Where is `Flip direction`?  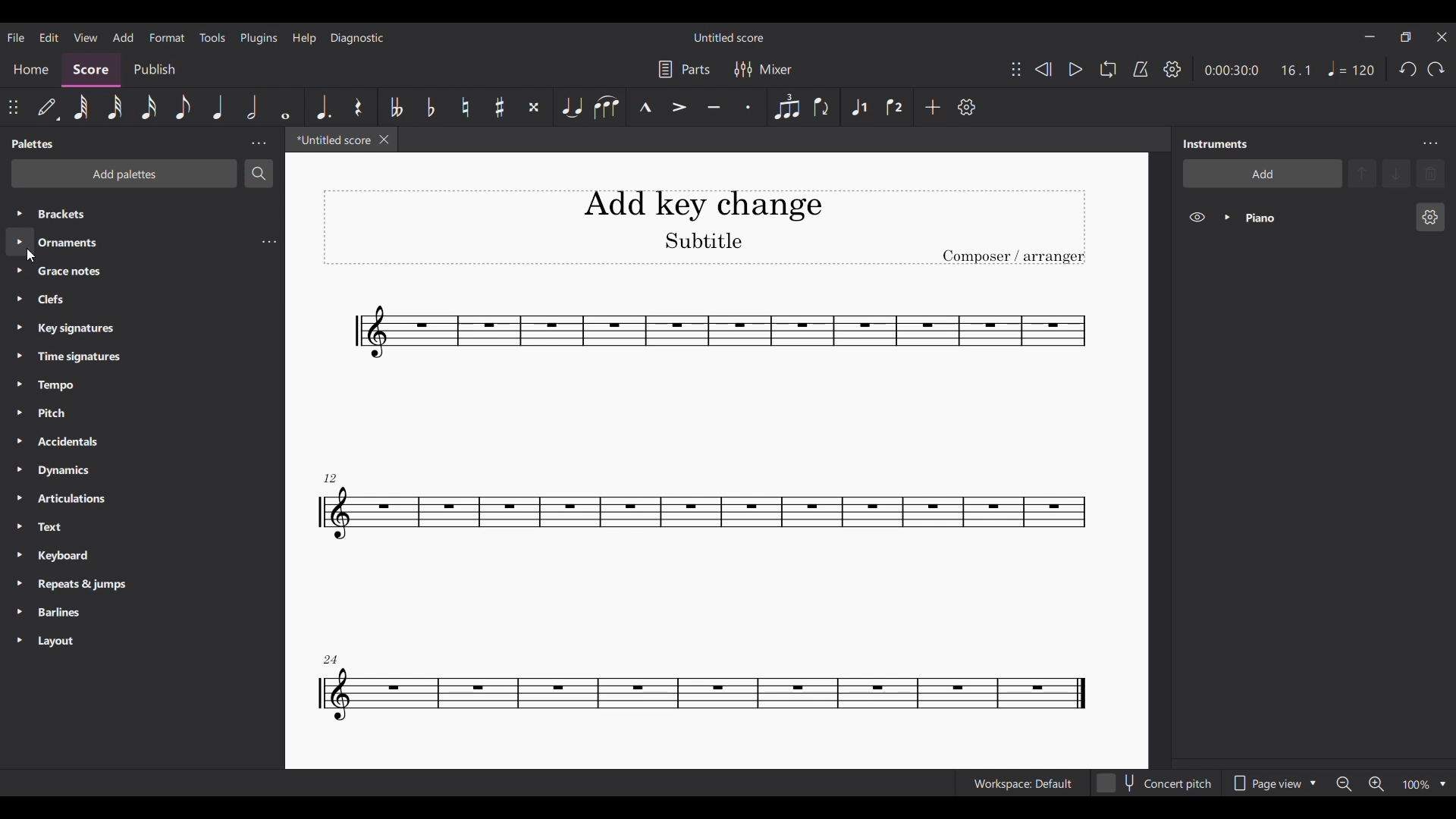
Flip direction is located at coordinates (824, 107).